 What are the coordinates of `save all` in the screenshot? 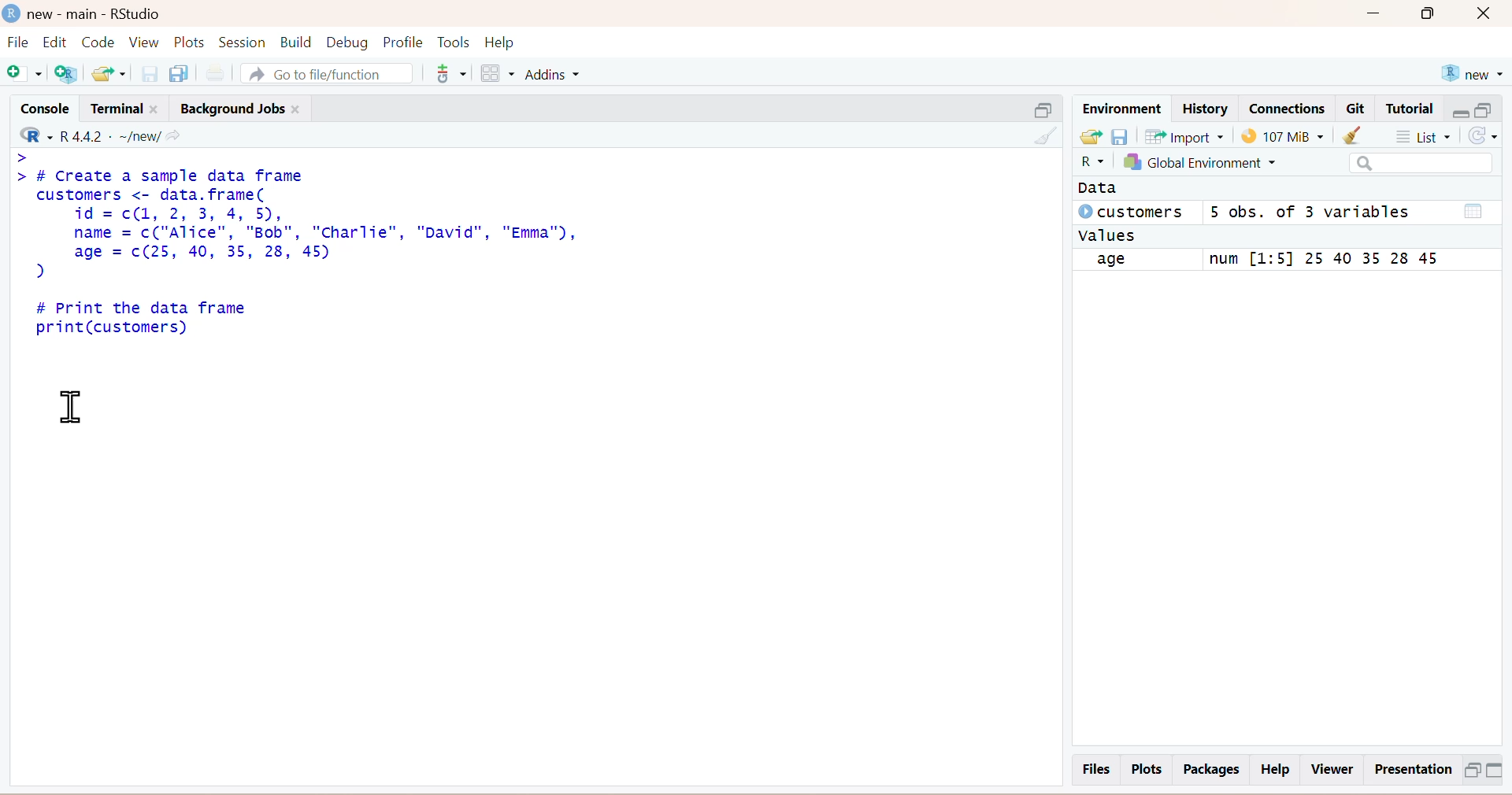 It's located at (179, 72).